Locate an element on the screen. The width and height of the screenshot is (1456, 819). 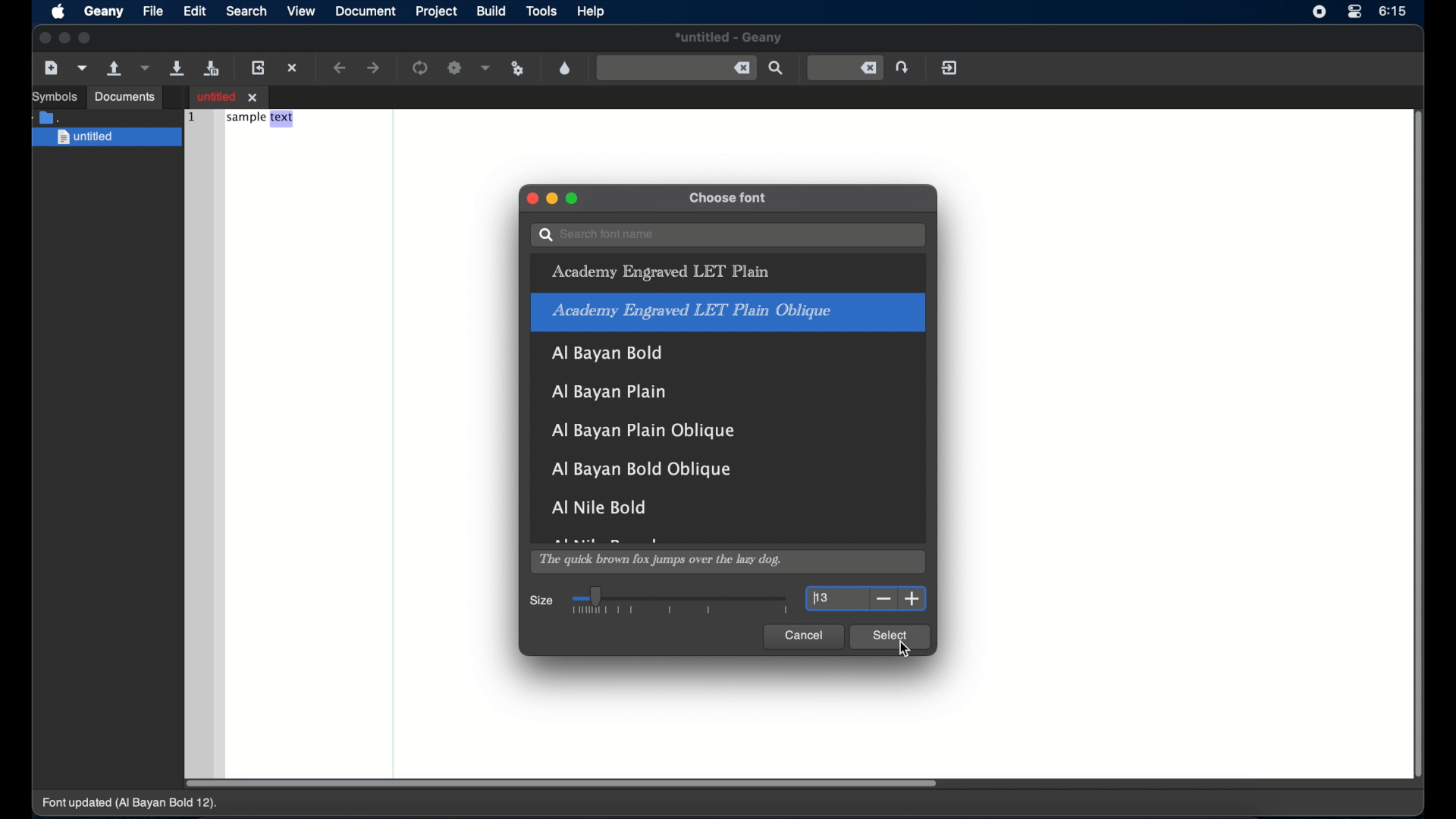
close is located at coordinates (530, 198).